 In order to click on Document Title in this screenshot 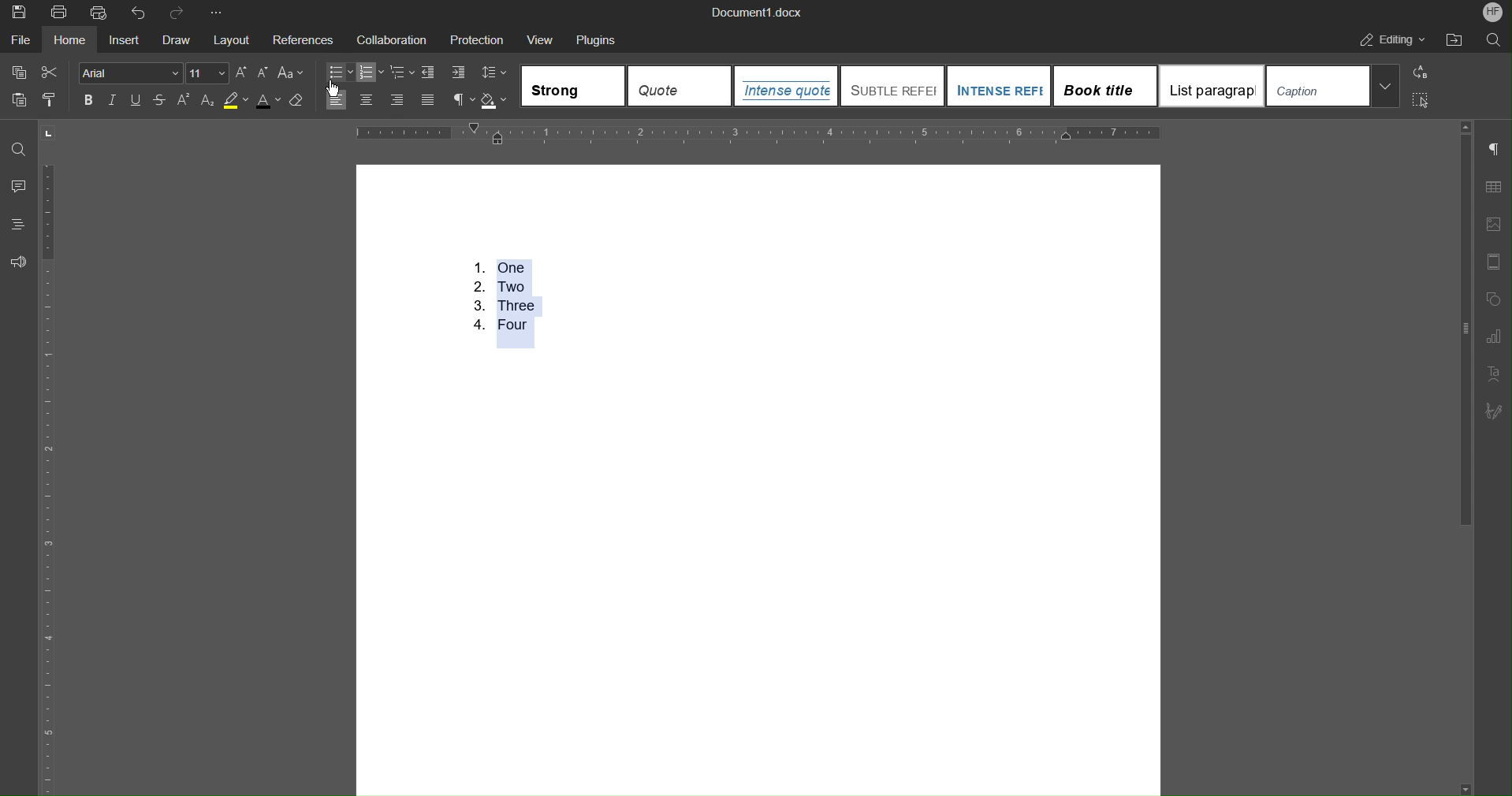, I will do `click(754, 12)`.